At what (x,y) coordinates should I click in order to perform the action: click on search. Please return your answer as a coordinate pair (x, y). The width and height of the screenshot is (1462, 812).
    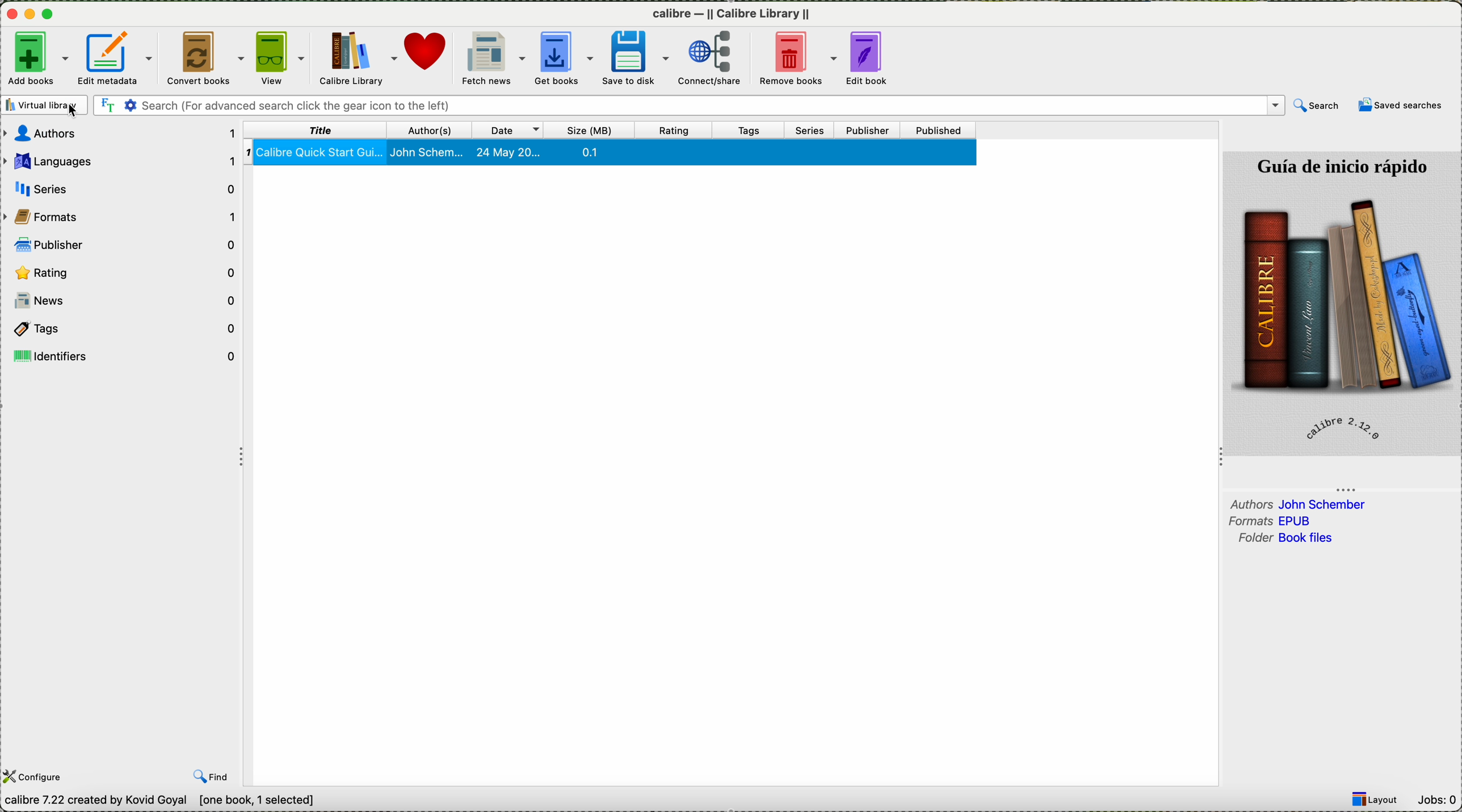
    Looking at the image, I should click on (1316, 106).